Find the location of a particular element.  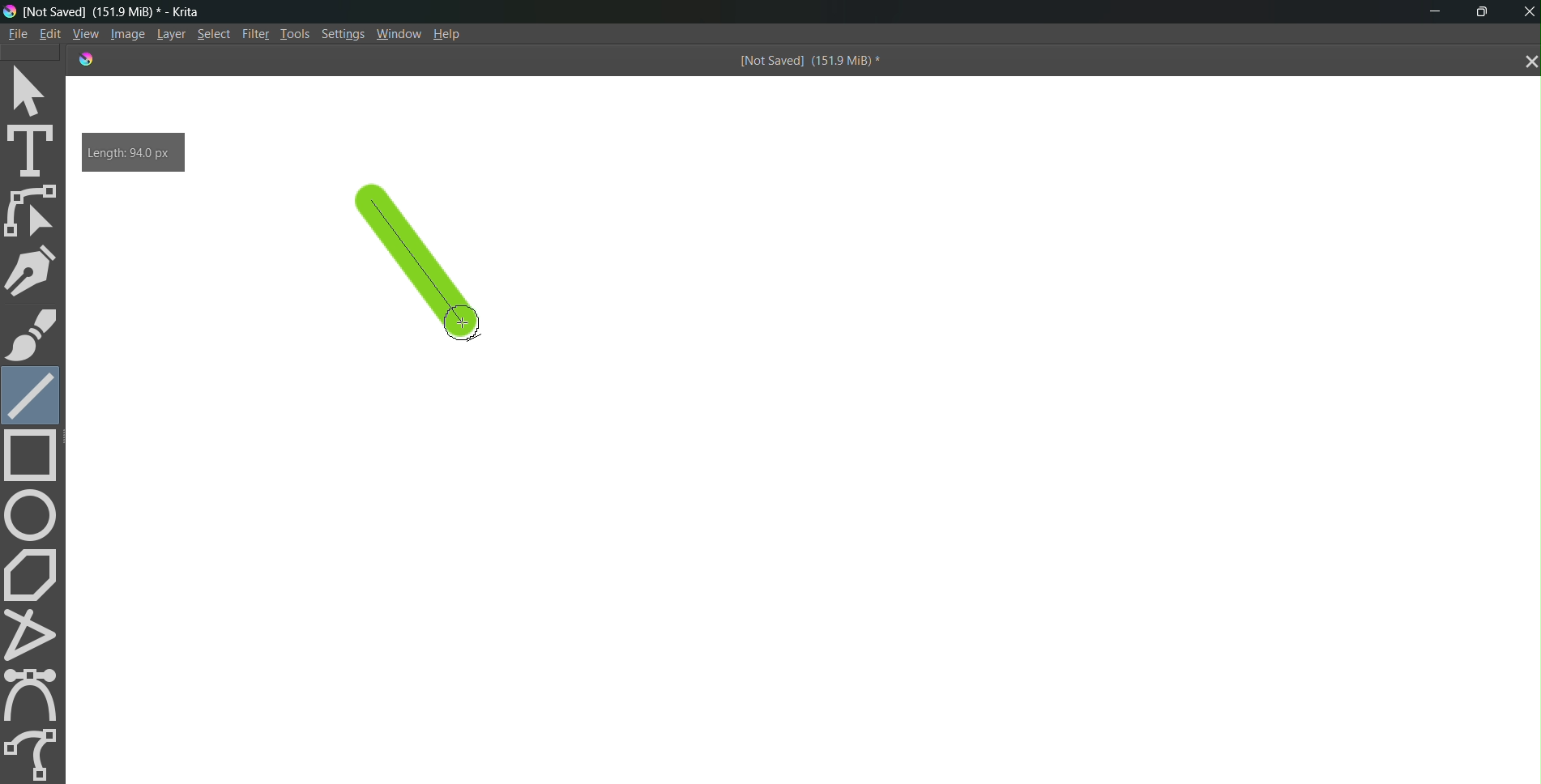

Select is located at coordinates (214, 35).